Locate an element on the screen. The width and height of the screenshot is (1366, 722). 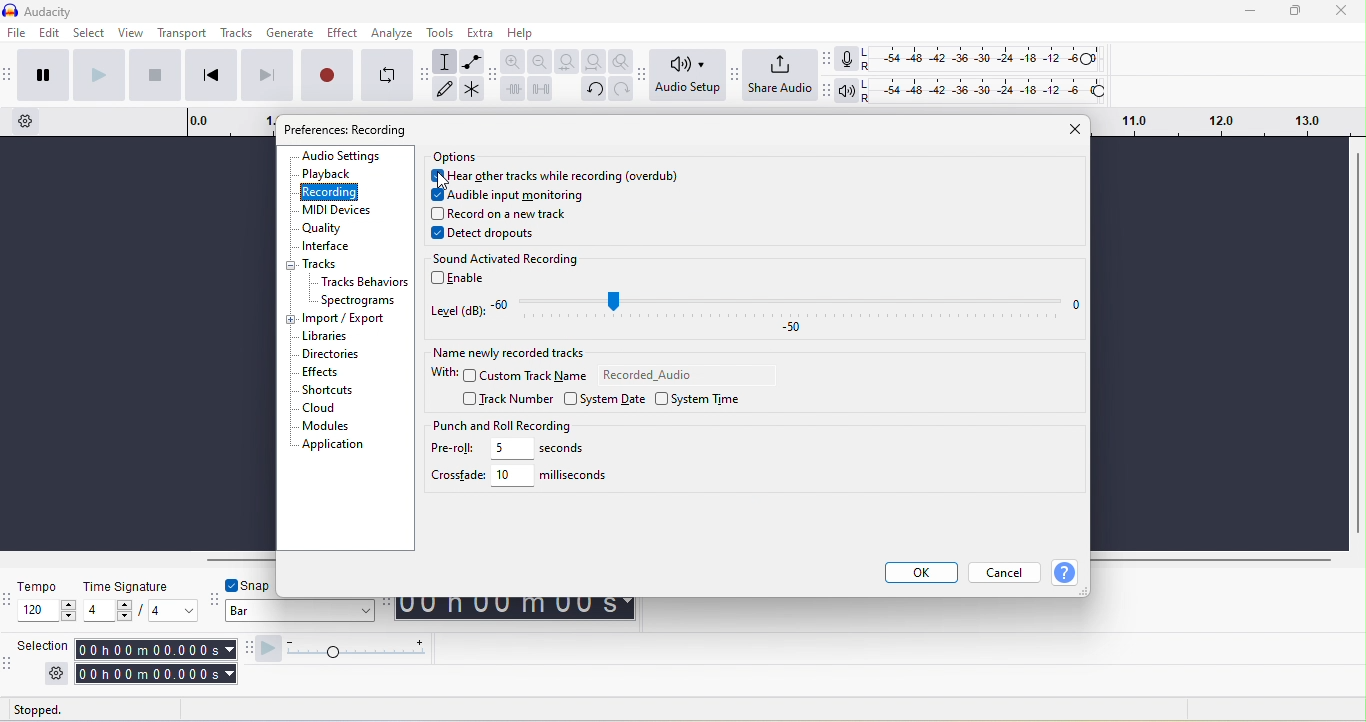
audio settings is located at coordinates (348, 155).